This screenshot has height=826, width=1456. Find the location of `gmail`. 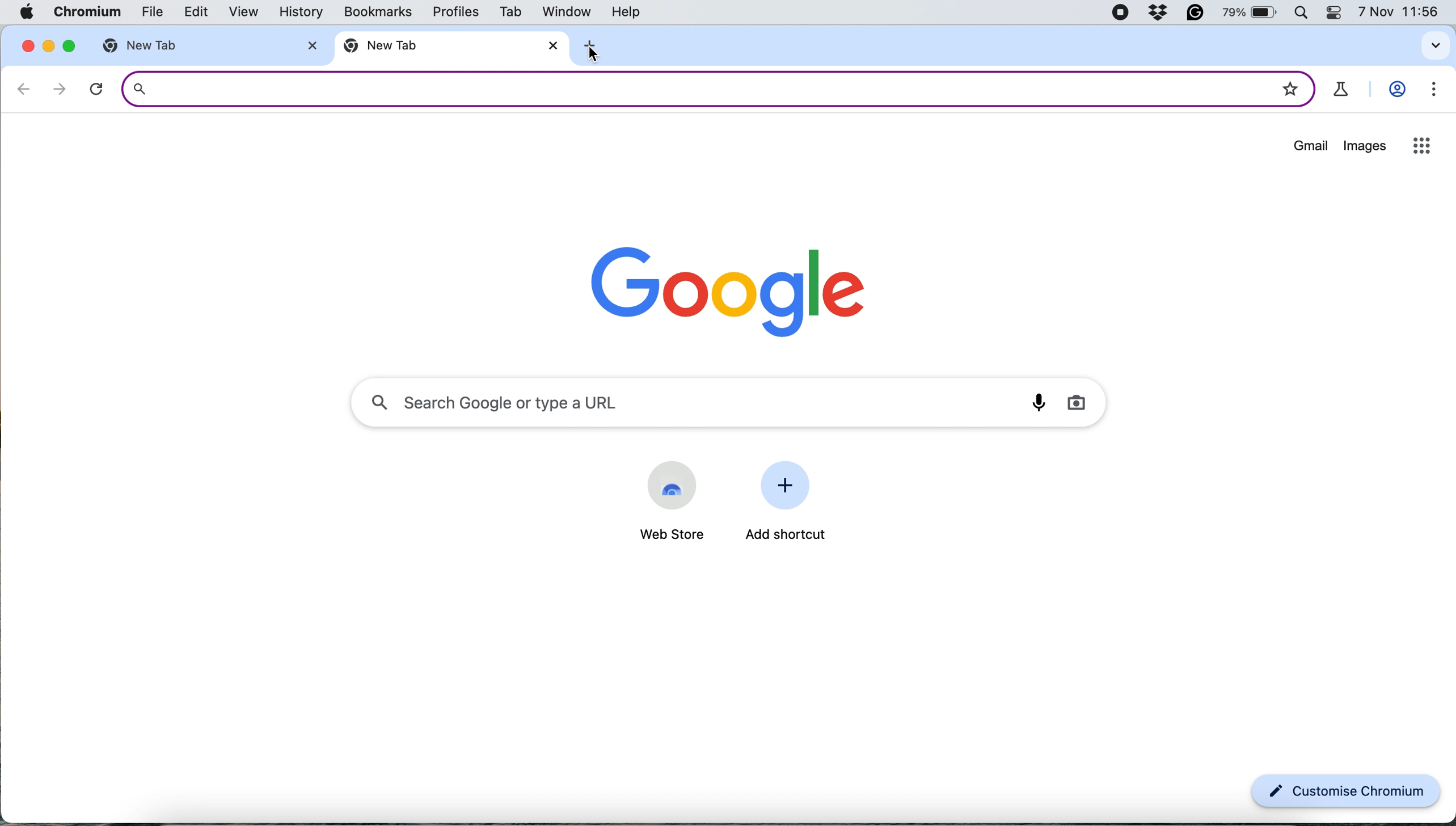

gmail is located at coordinates (1310, 149).